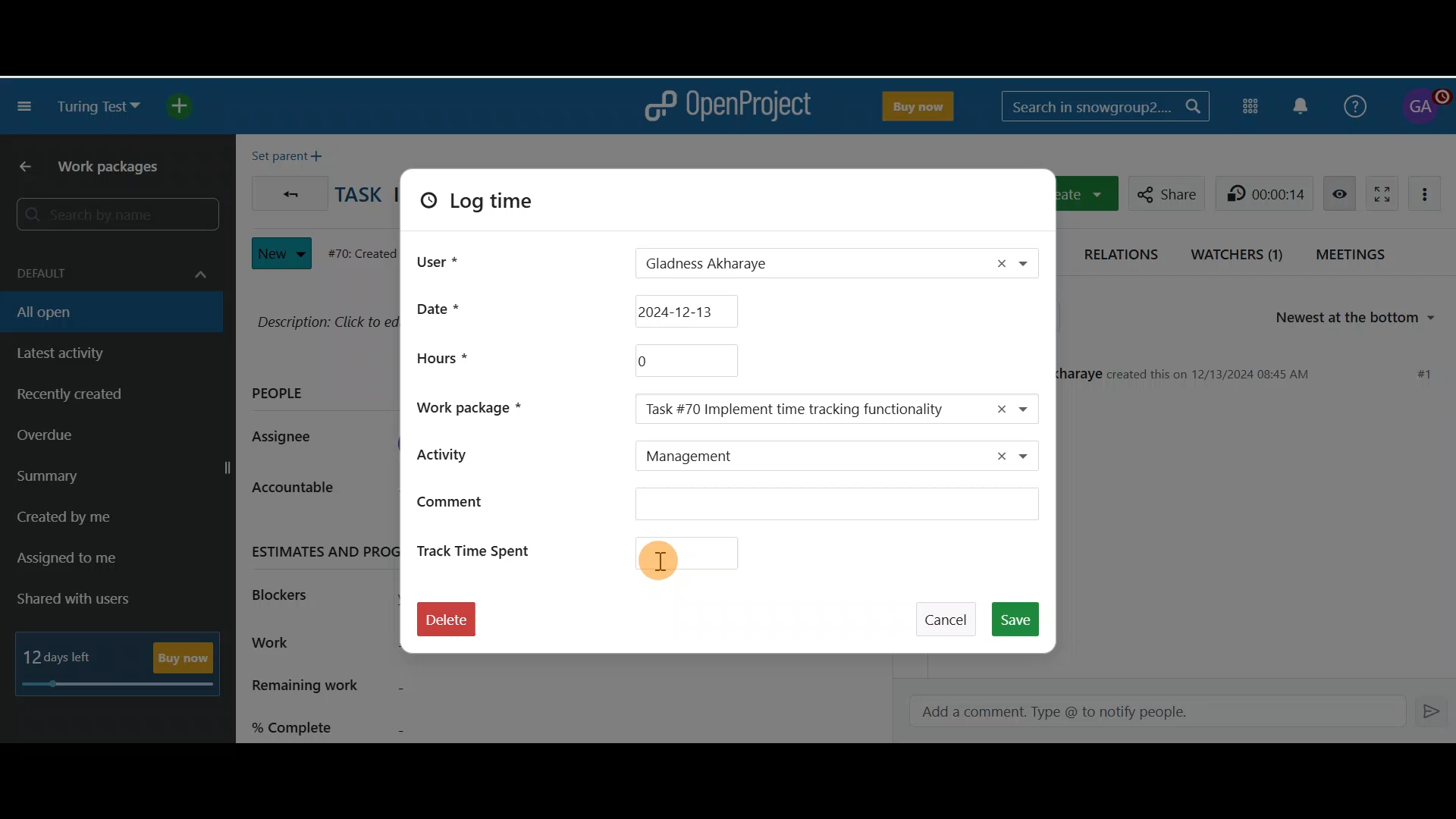  I want to click on Remove, so click(1000, 262).